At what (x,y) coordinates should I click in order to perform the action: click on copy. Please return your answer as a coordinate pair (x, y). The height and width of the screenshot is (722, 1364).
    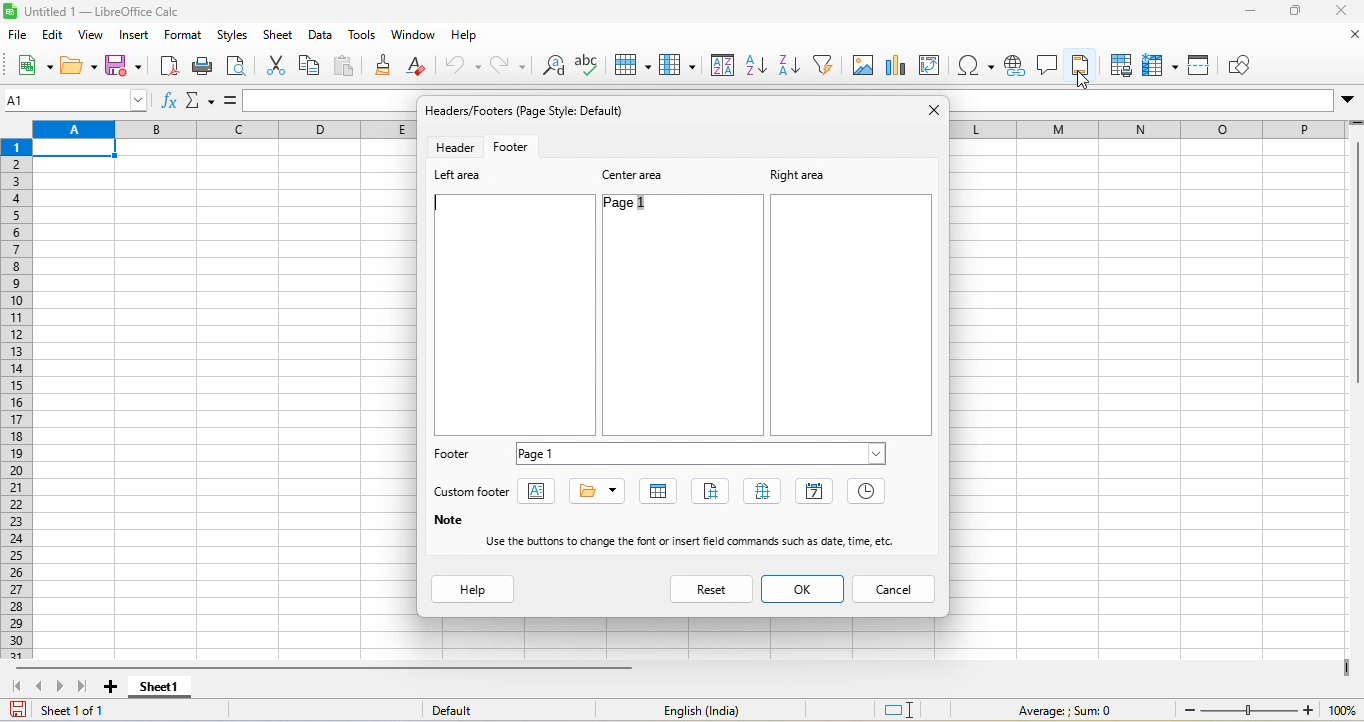
    Looking at the image, I should click on (311, 68).